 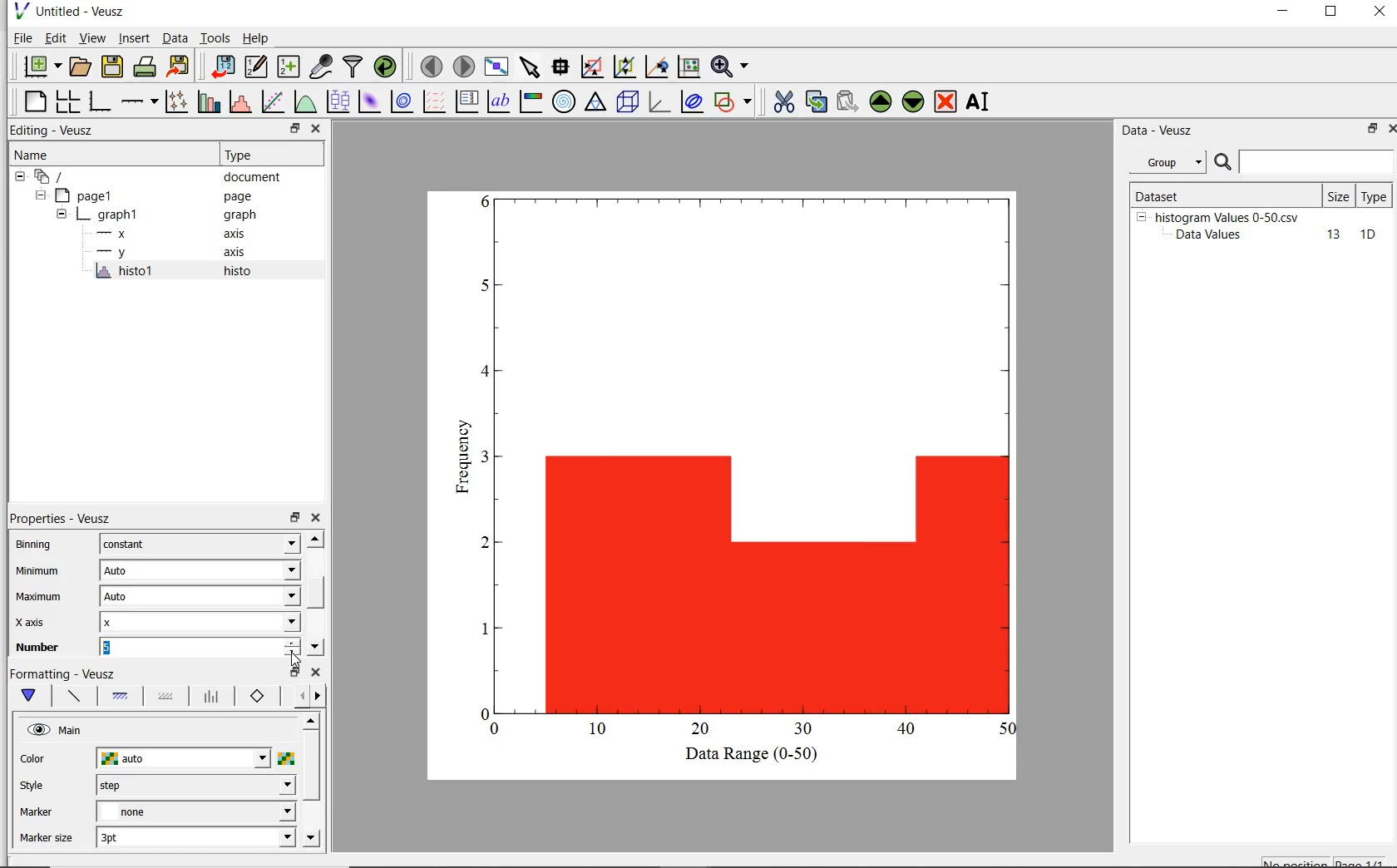 What do you see at coordinates (311, 839) in the screenshot?
I see `move down` at bounding box center [311, 839].